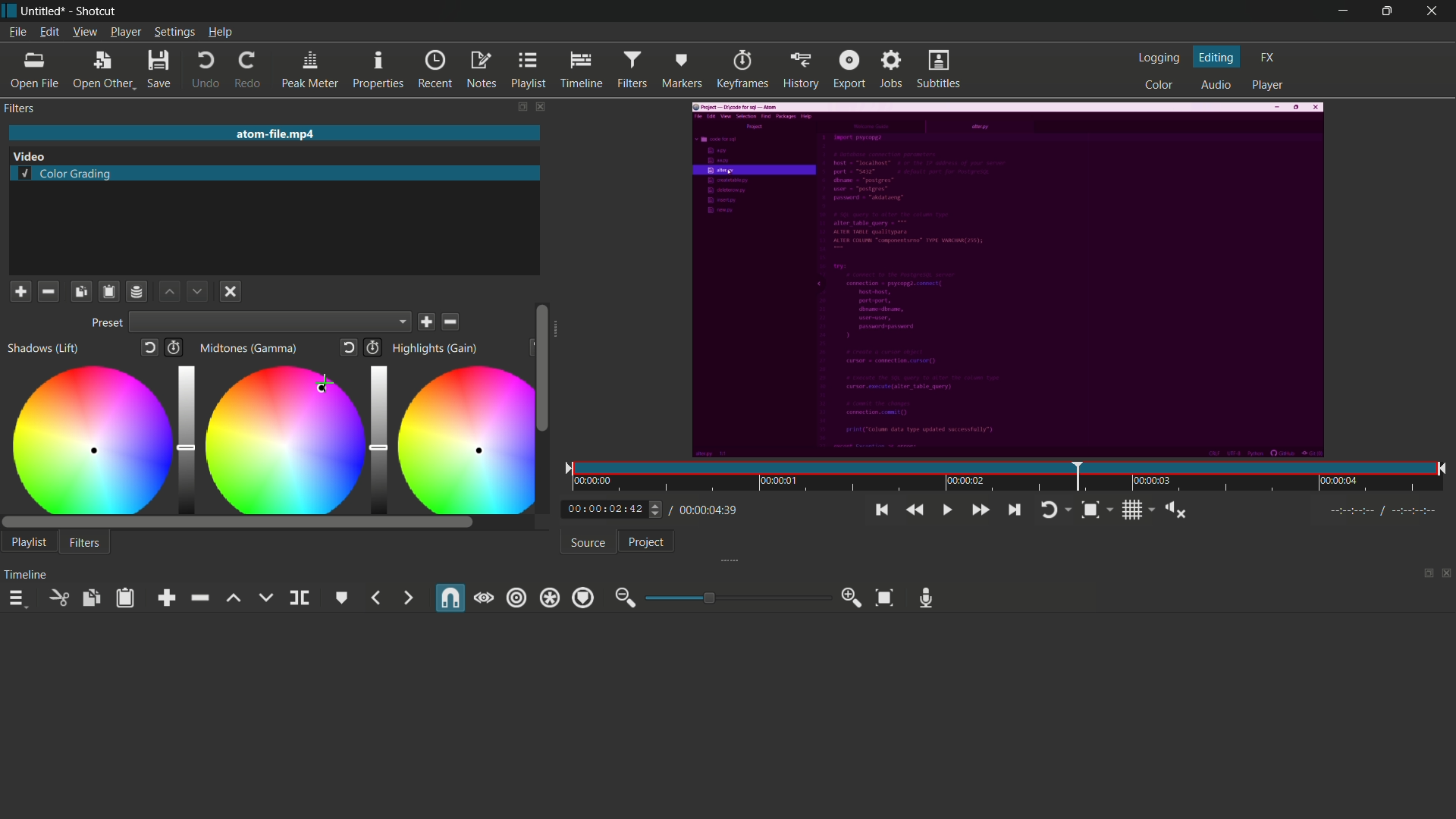 Image resolution: width=1456 pixels, height=819 pixels. What do you see at coordinates (892, 68) in the screenshot?
I see `jobs` at bounding box center [892, 68].